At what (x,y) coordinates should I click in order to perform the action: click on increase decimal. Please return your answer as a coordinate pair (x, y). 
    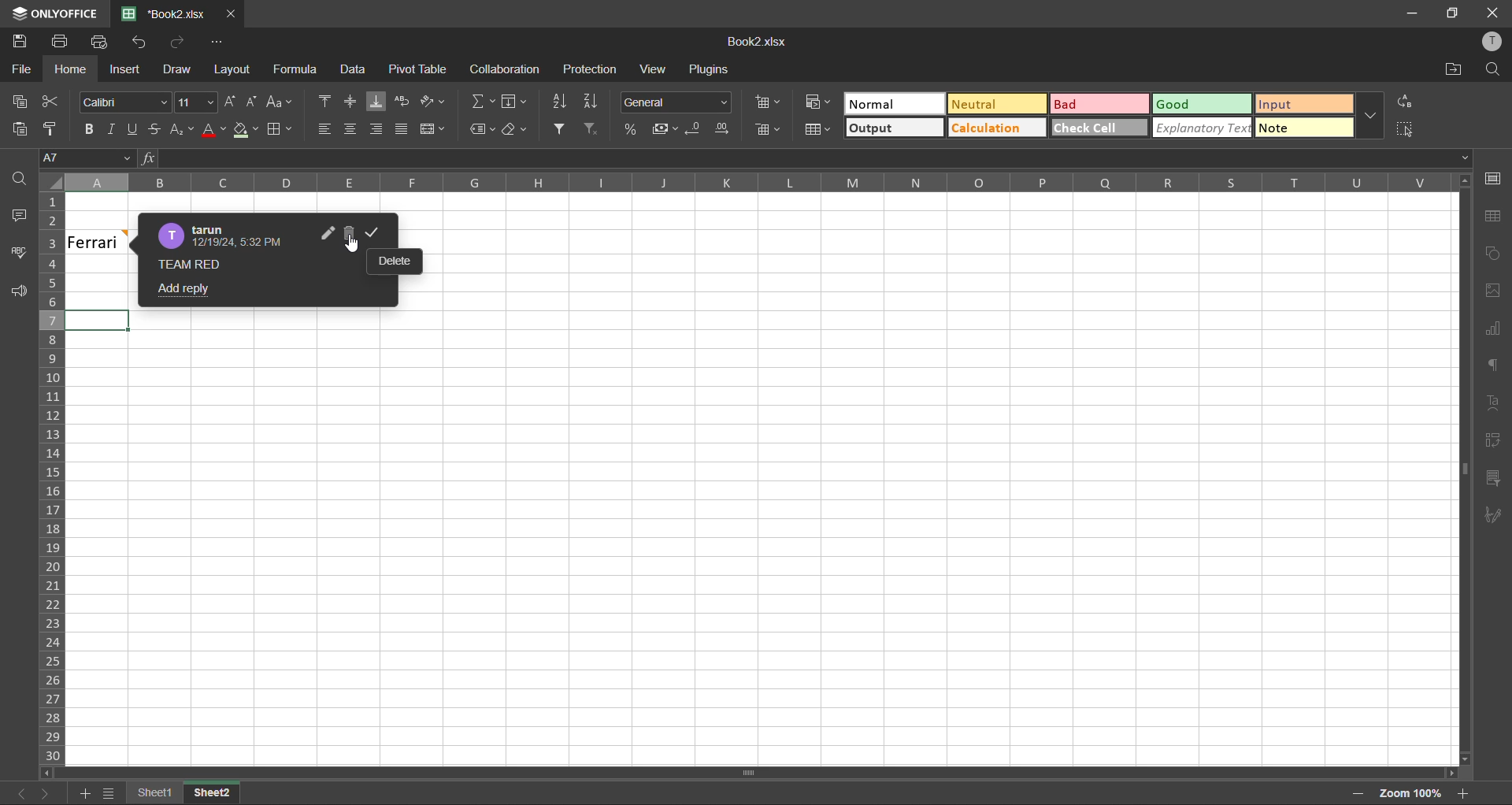
    Looking at the image, I should click on (724, 129).